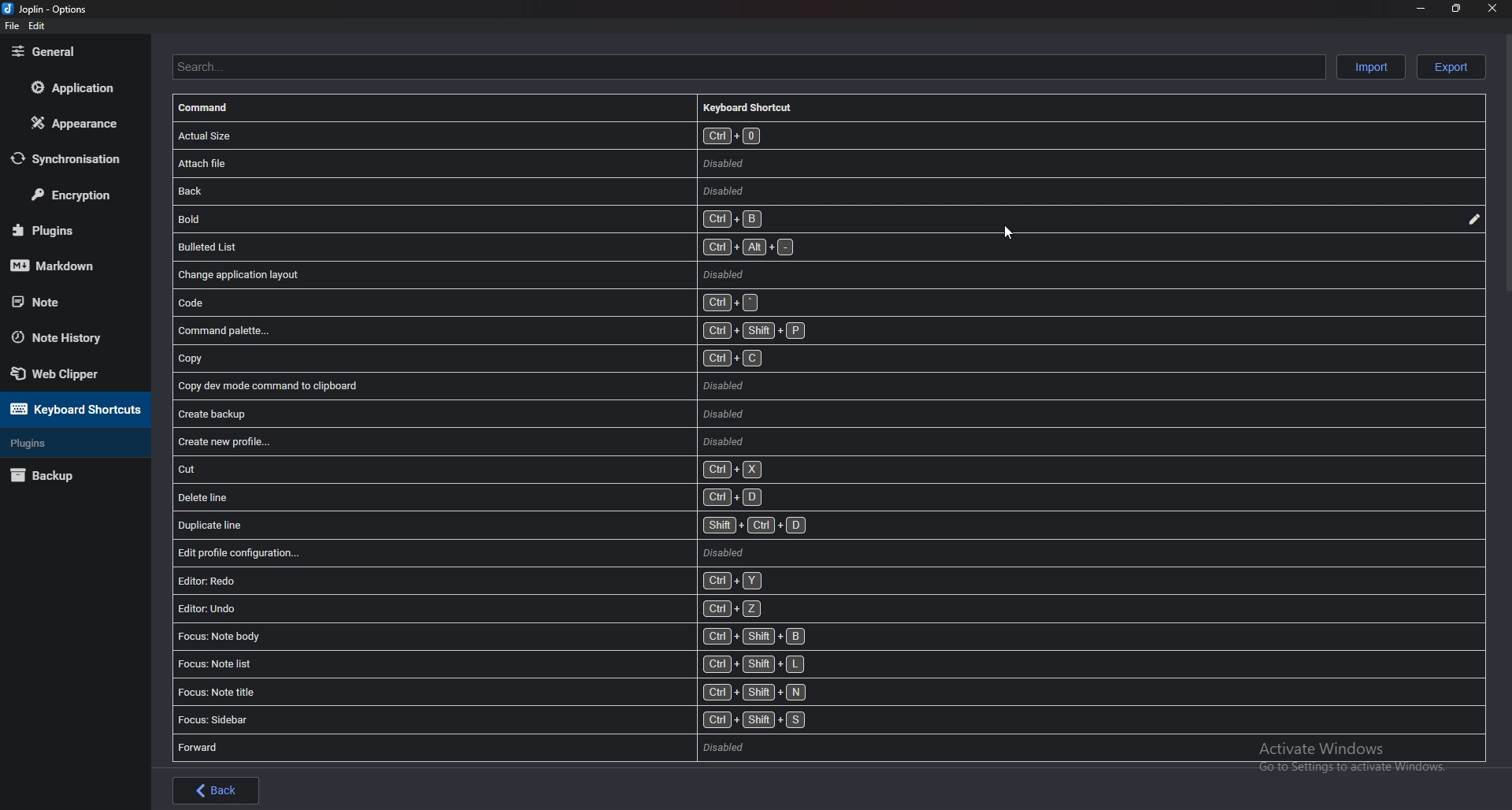 Image resolution: width=1512 pixels, height=810 pixels. Describe the element at coordinates (1474, 221) in the screenshot. I see `Edit` at that location.